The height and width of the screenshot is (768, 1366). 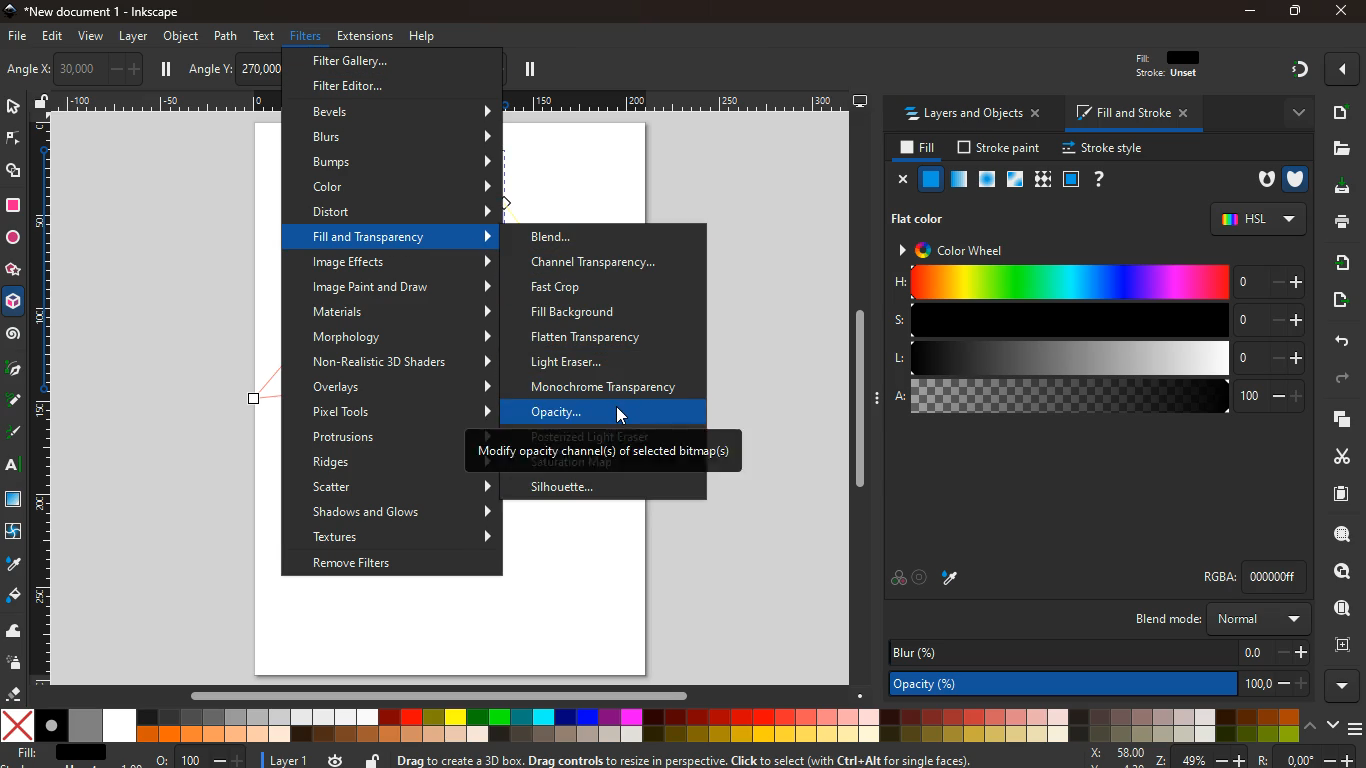 What do you see at coordinates (1338, 421) in the screenshot?
I see `layers` at bounding box center [1338, 421].